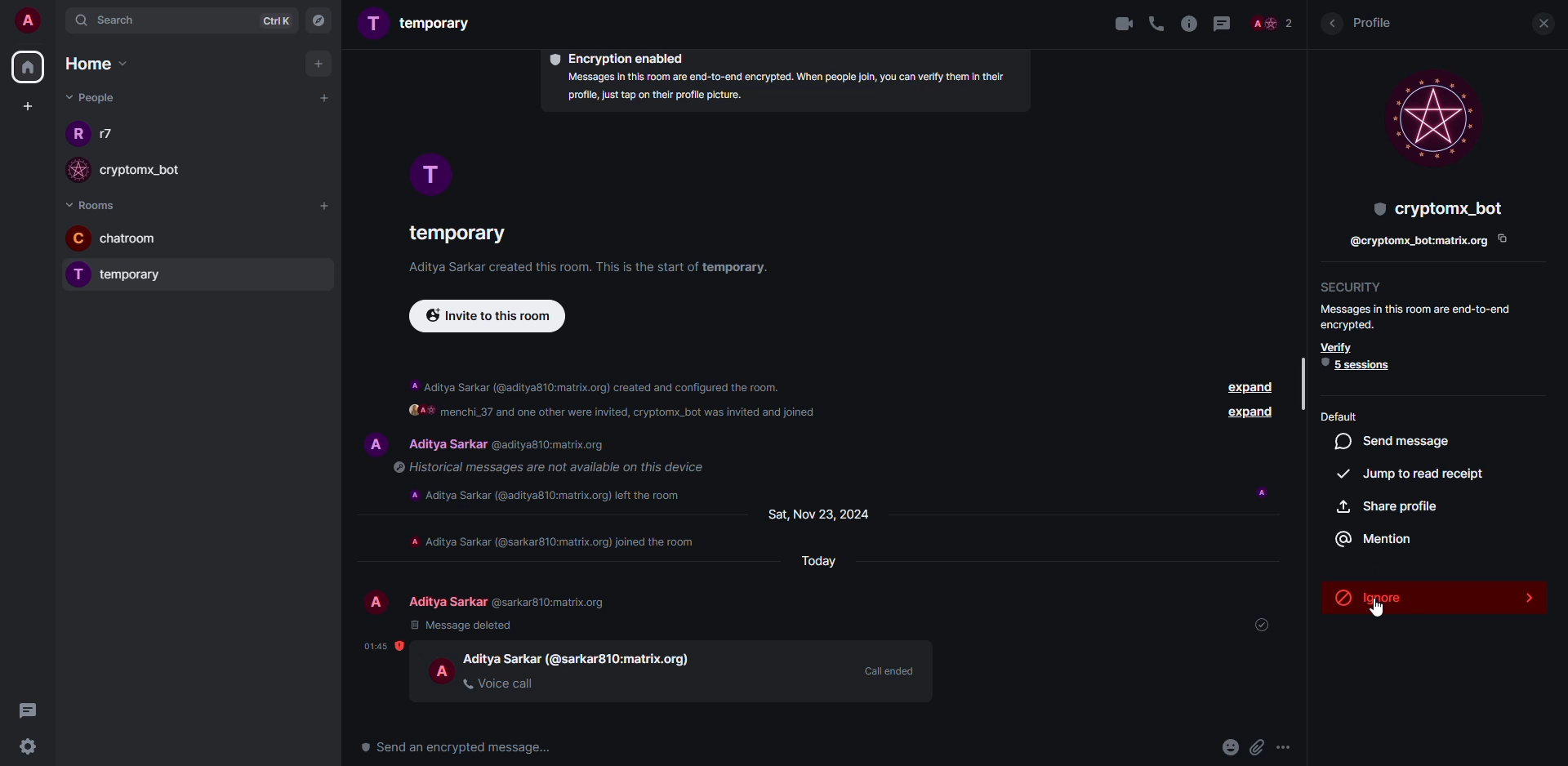  What do you see at coordinates (1246, 387) in the screenshot?
I see `expand` at bounding box center [1246, 387].